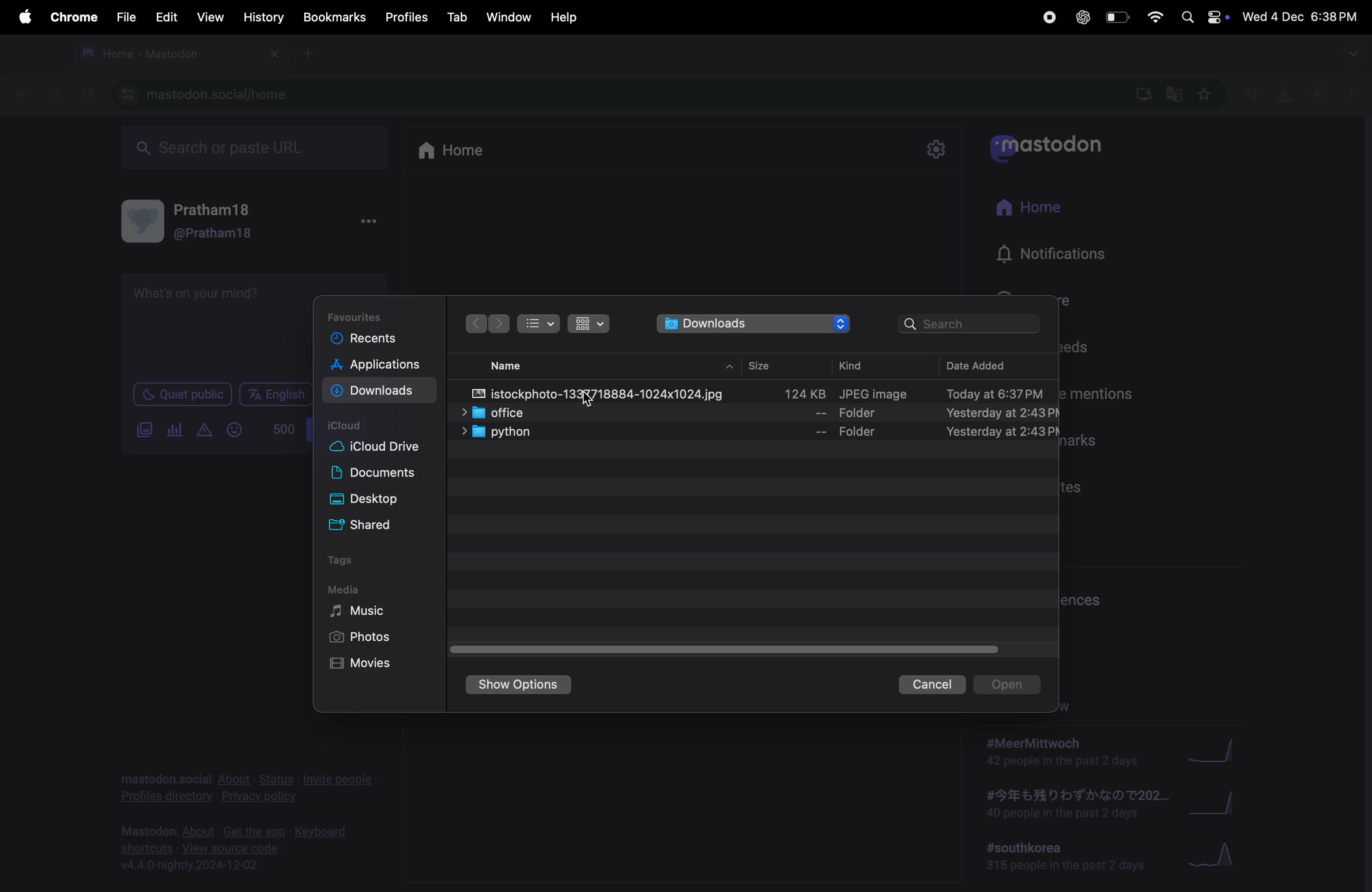  I want to click on privacy policy, so click(246, 784).